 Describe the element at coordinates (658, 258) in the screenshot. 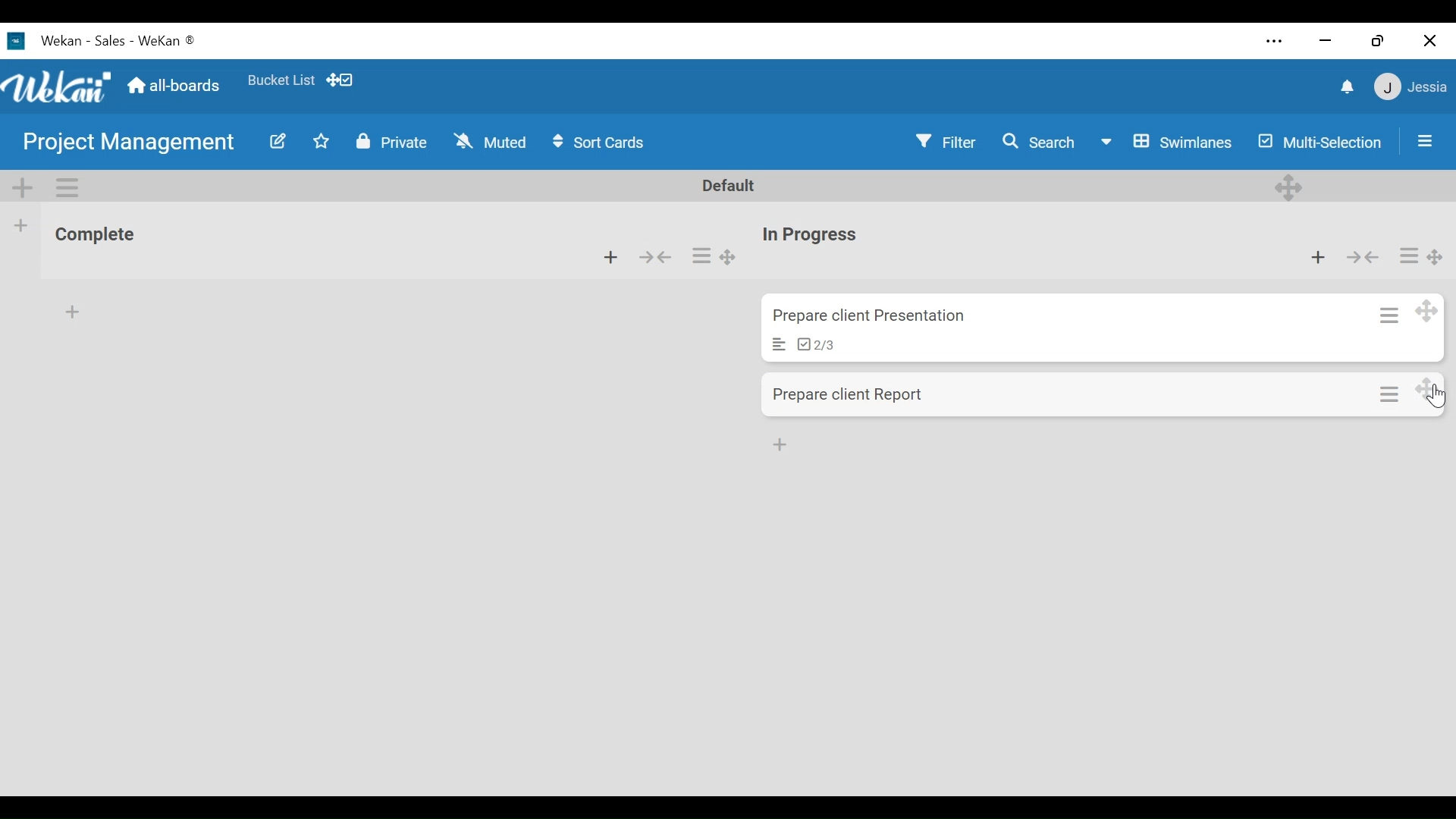

I see `Collapse` at that location.